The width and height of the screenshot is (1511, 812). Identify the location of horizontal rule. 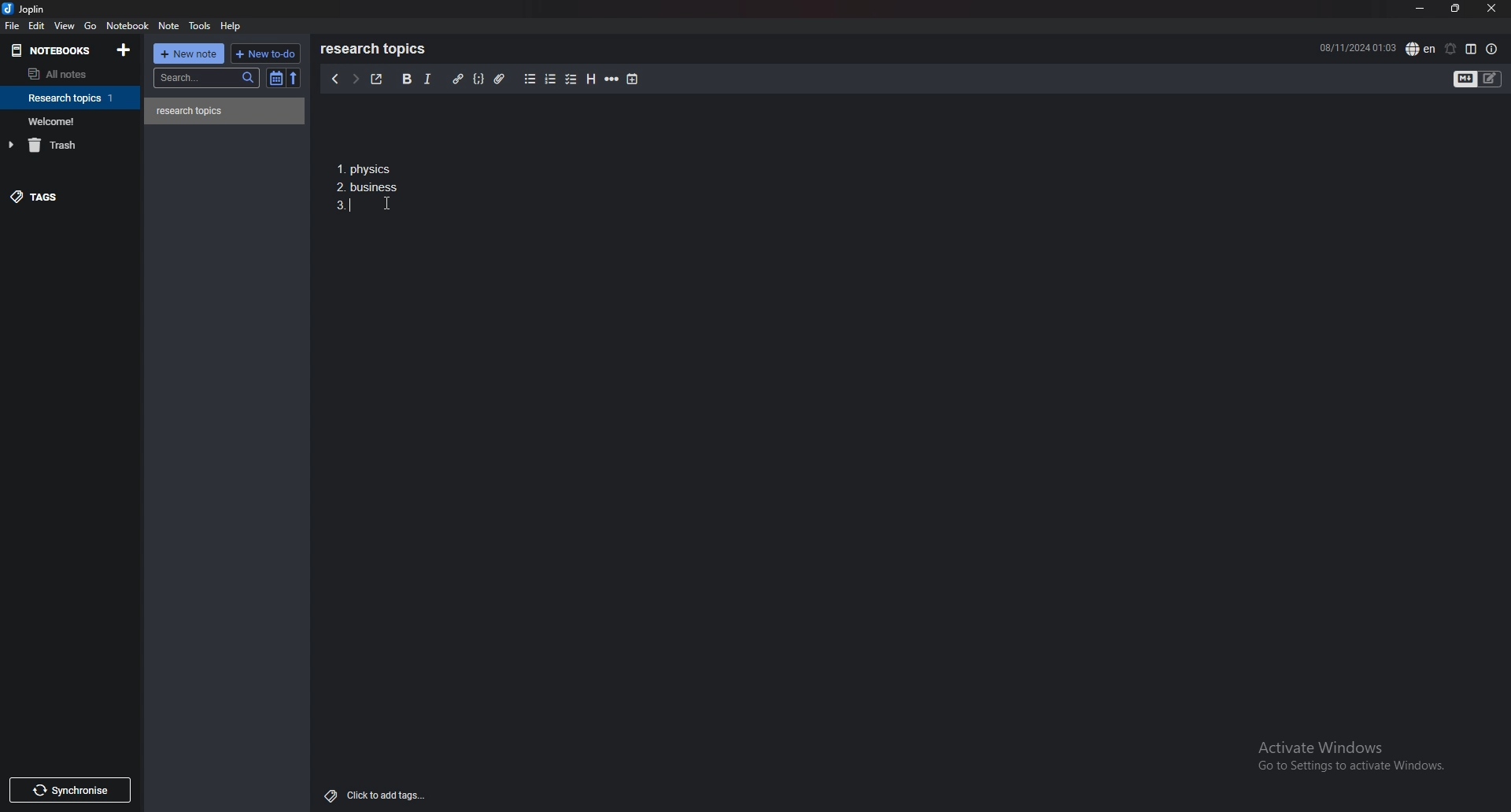
(613, 79).